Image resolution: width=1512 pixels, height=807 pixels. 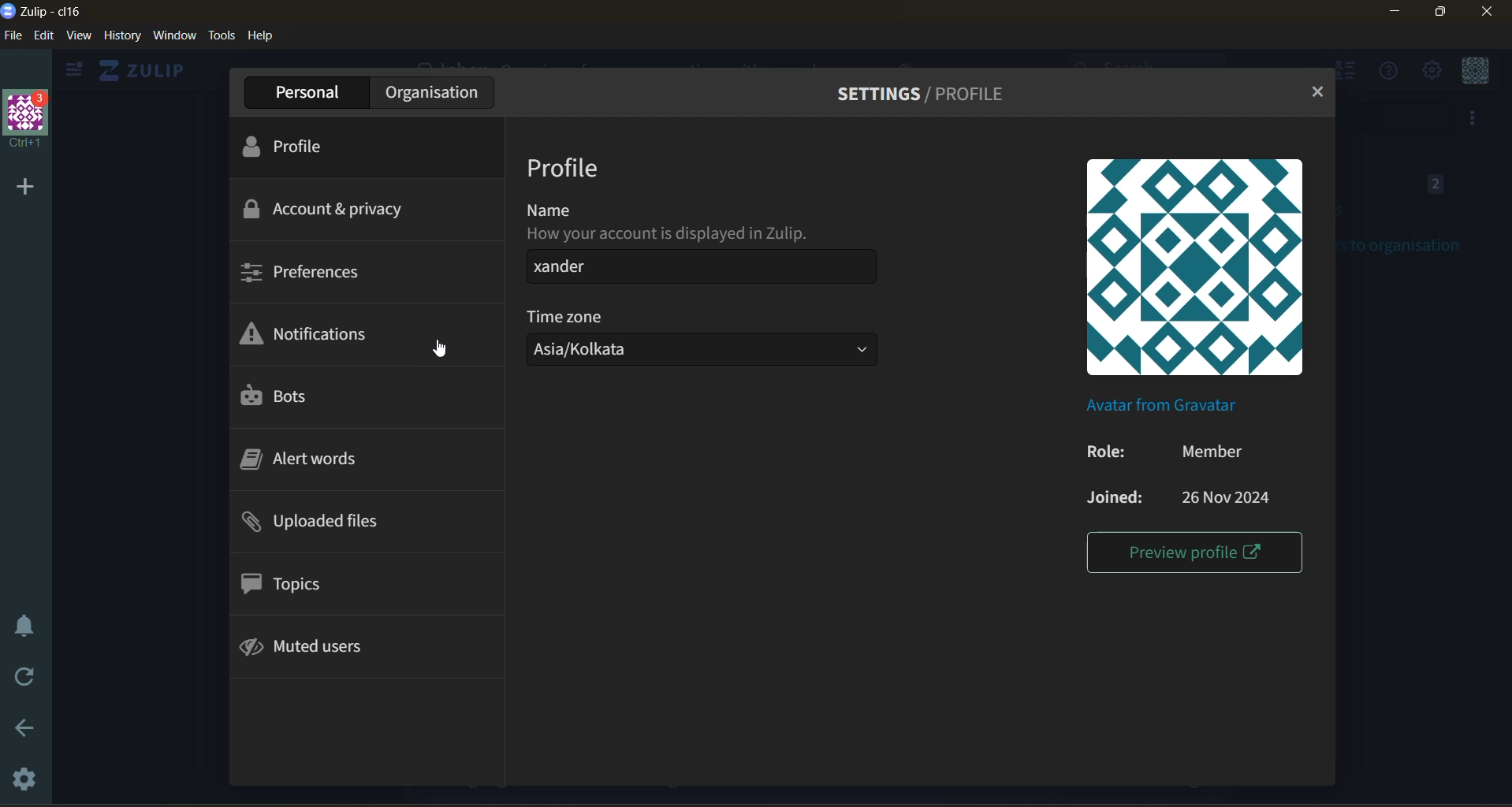 I want to click on bots, so click(x=281, y=396).